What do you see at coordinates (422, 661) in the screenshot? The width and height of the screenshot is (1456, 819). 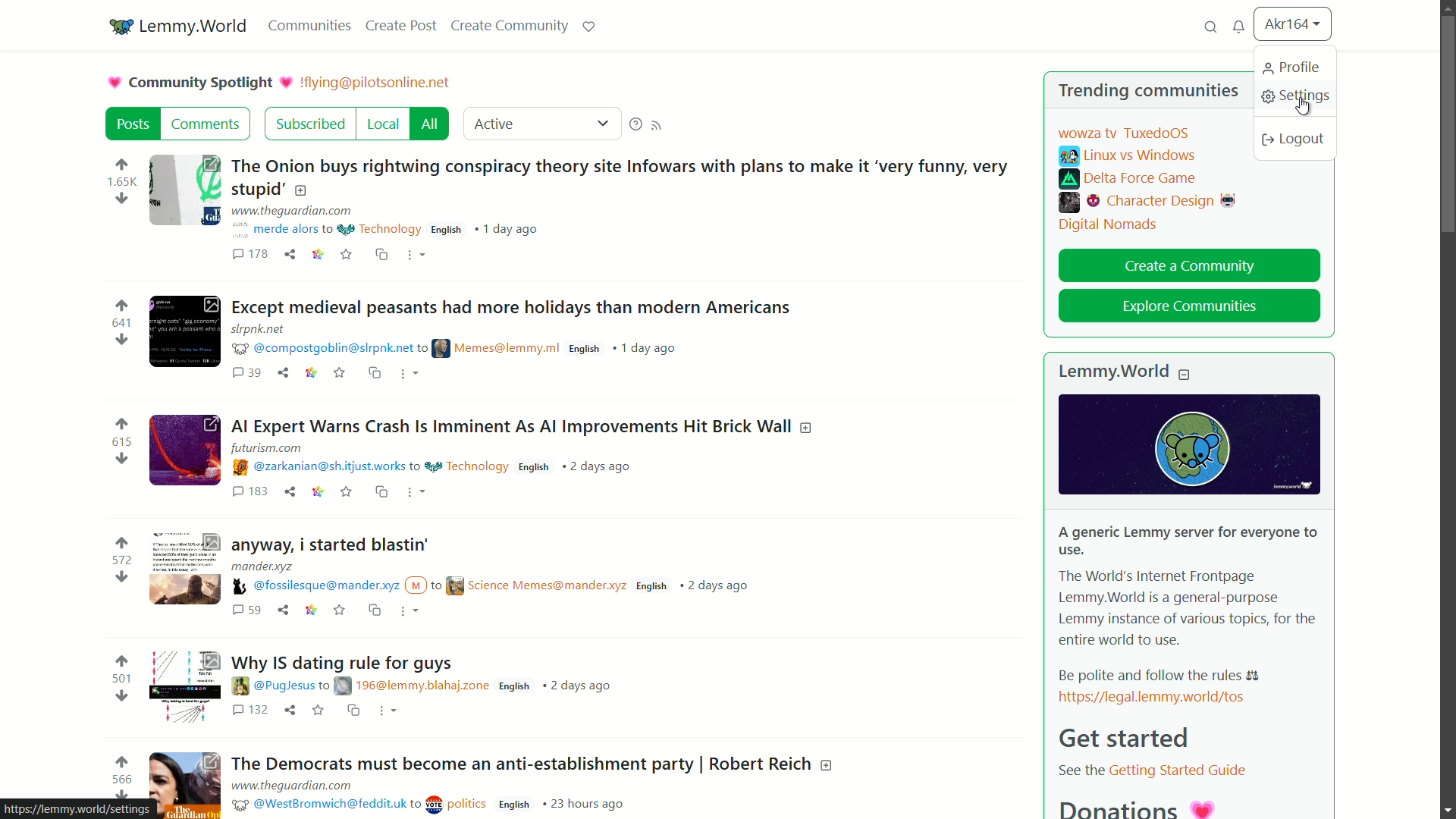 I see `post-5` at bounding box center [422, 661].